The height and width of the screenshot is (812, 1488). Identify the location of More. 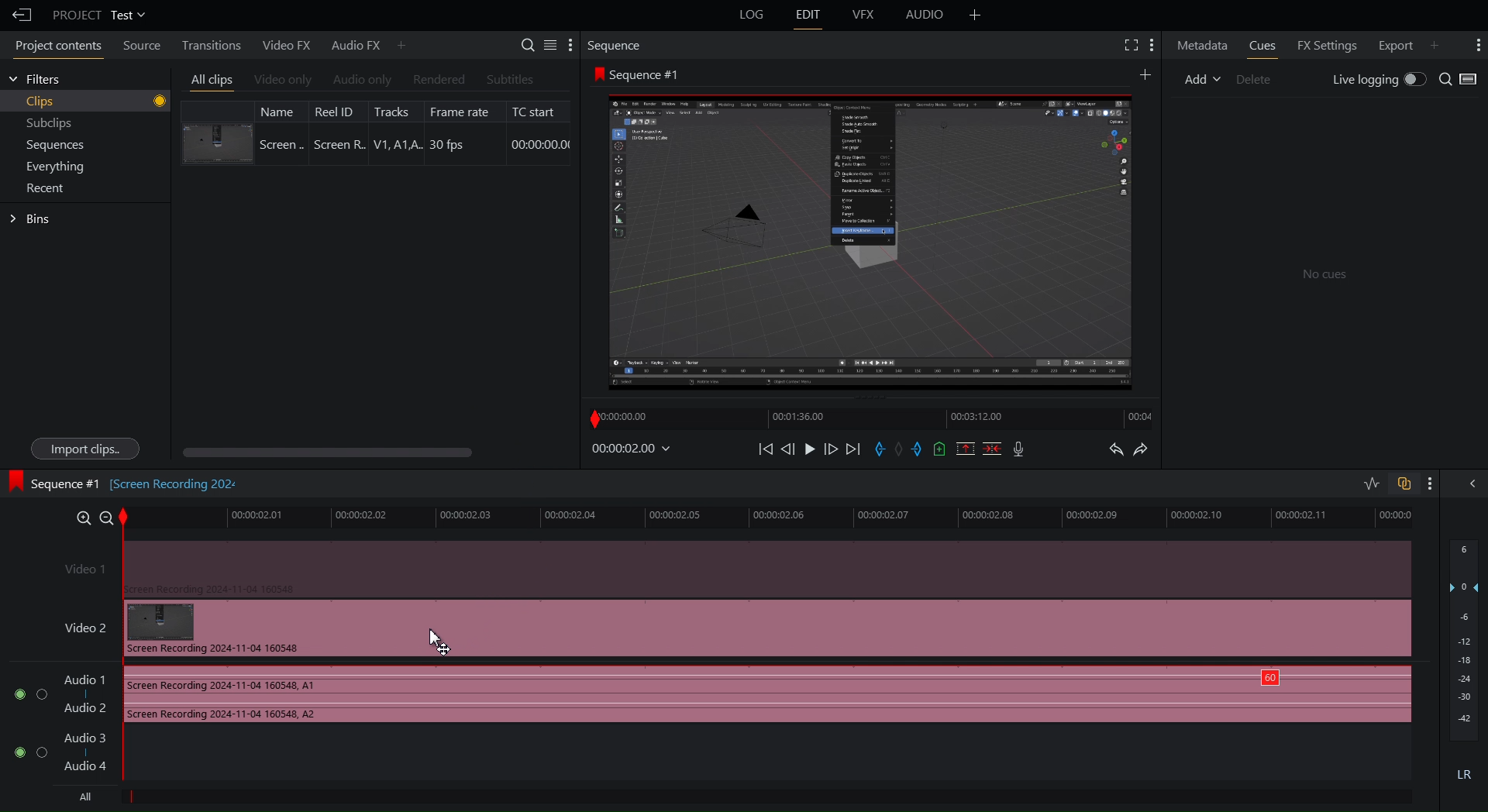
(402, 44).